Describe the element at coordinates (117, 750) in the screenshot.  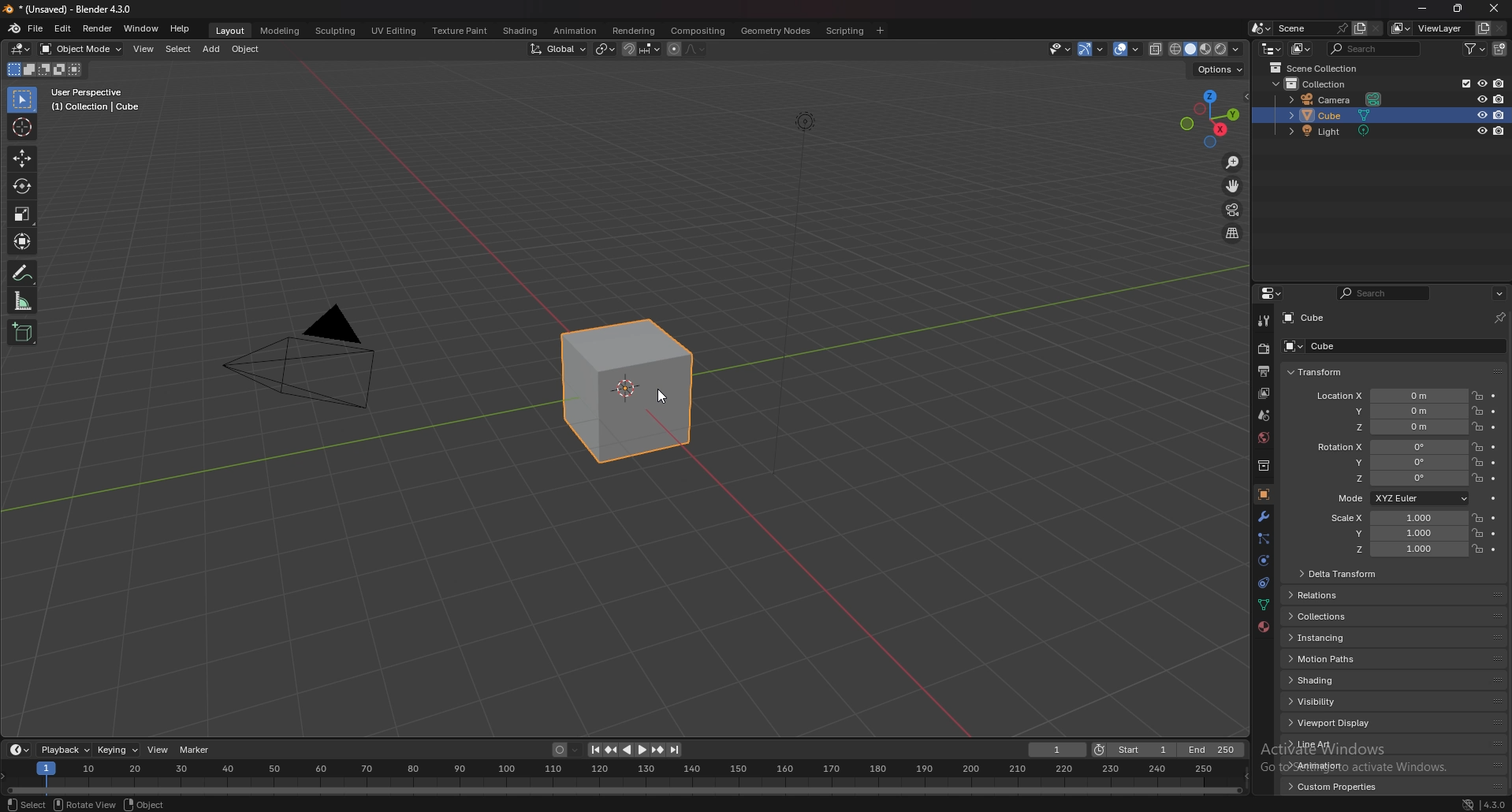
I see `keying` at that location.